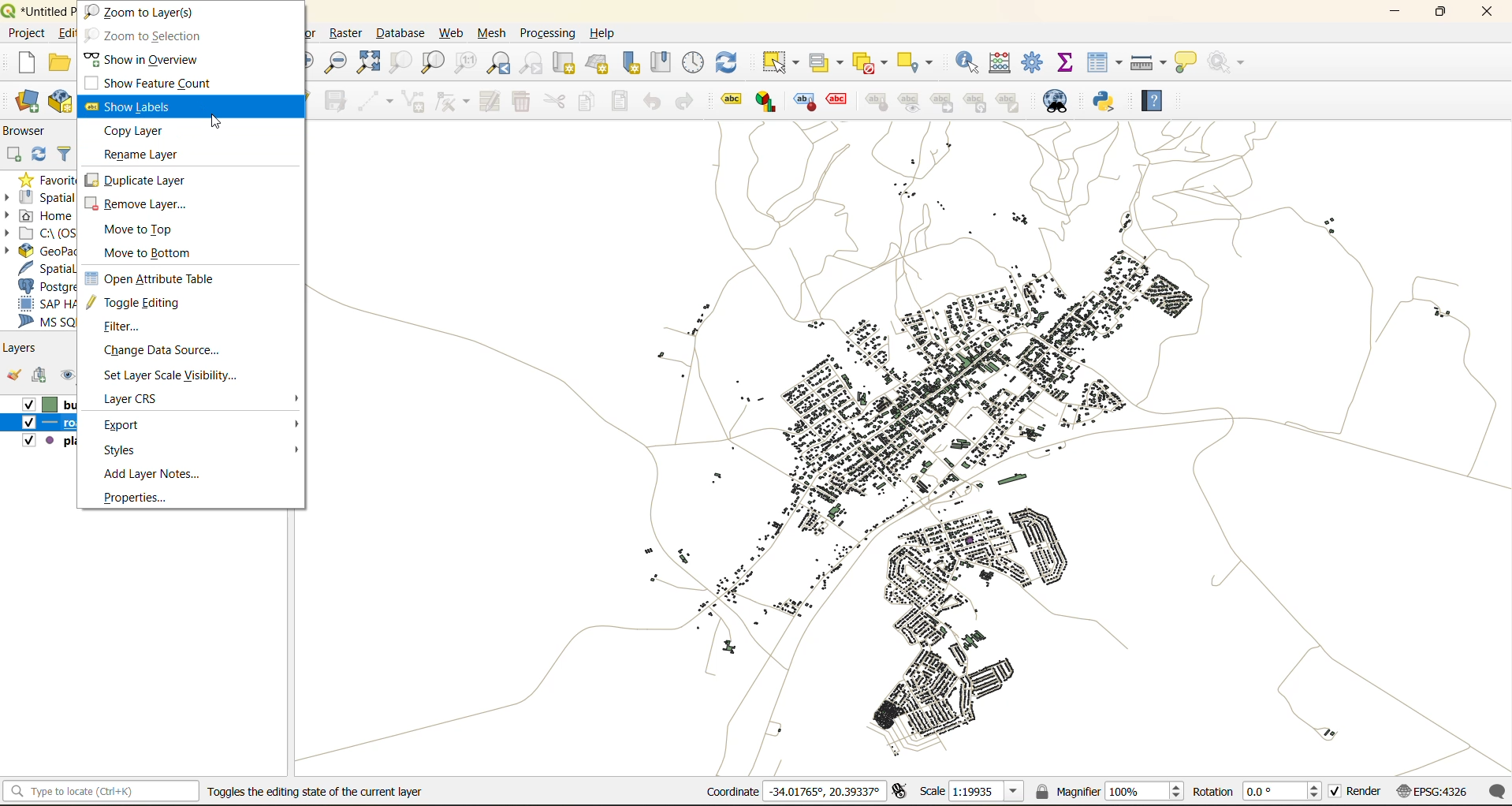 The height and width of the screenshot is (806, 1512). I want to click on magnifier, so click(1108, 792).